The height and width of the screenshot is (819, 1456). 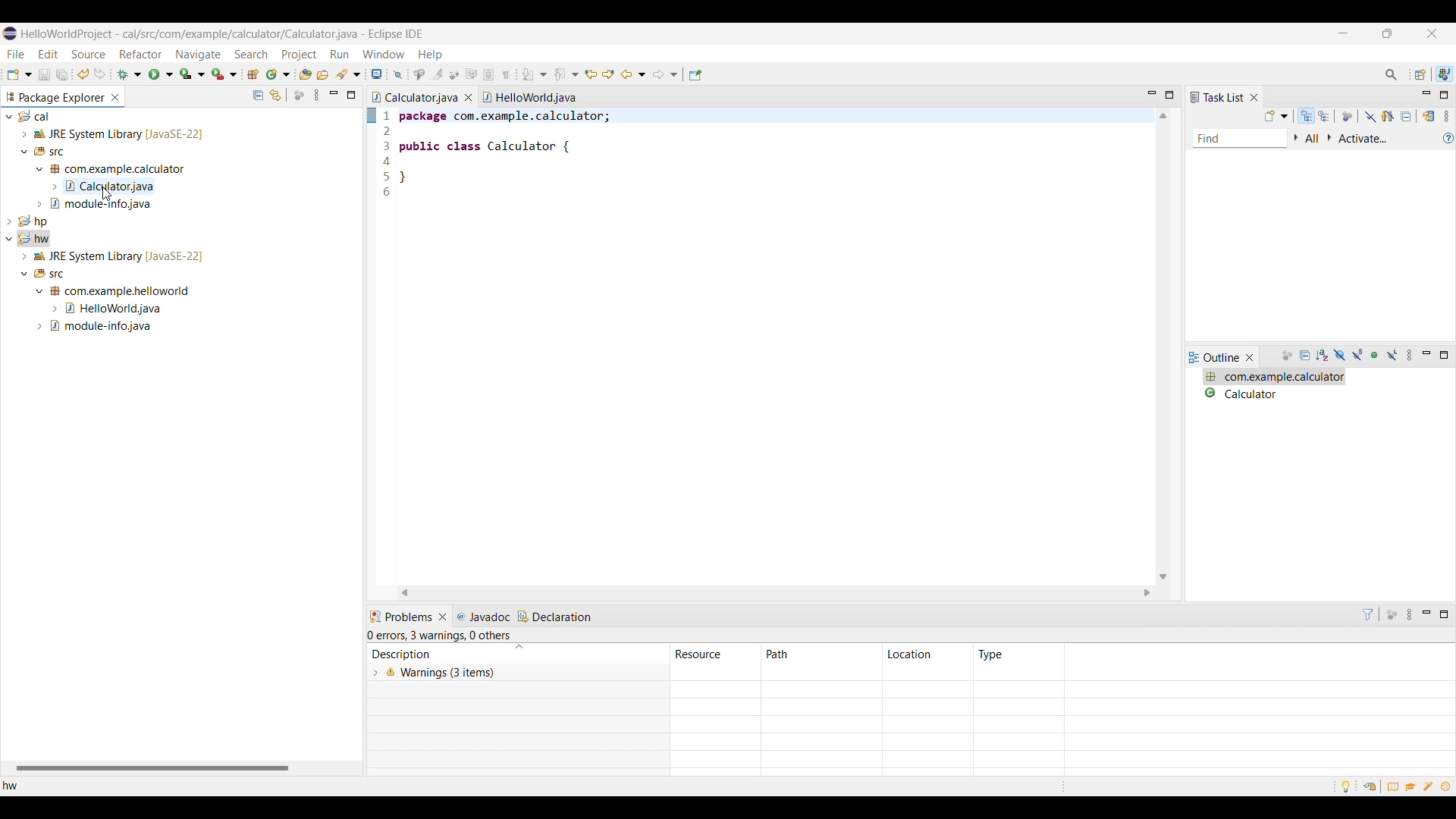 What do you see at coordinates (1313, 139) in the screenshot?
I see `Edit task working sets` at bounding box center [1313, 139].